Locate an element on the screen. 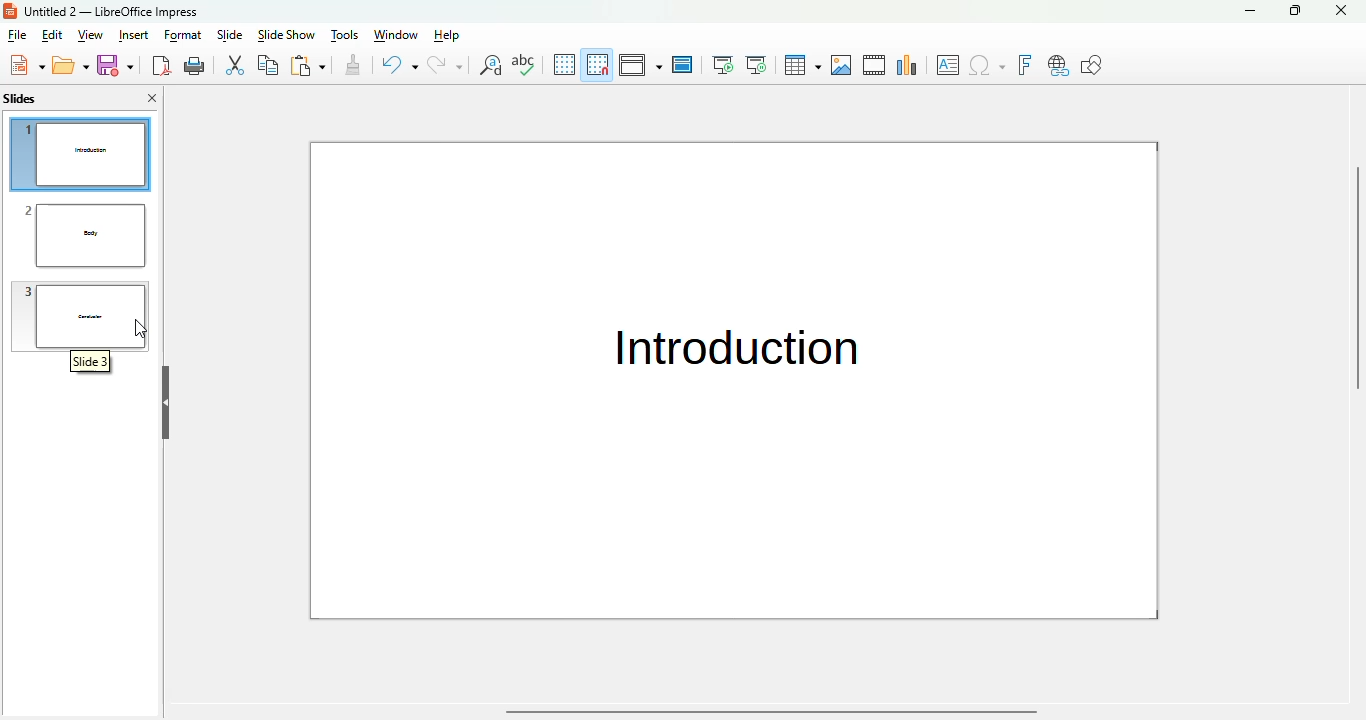 The image size is (1366, 720). slide 3 is located at coordinates (85, 314).